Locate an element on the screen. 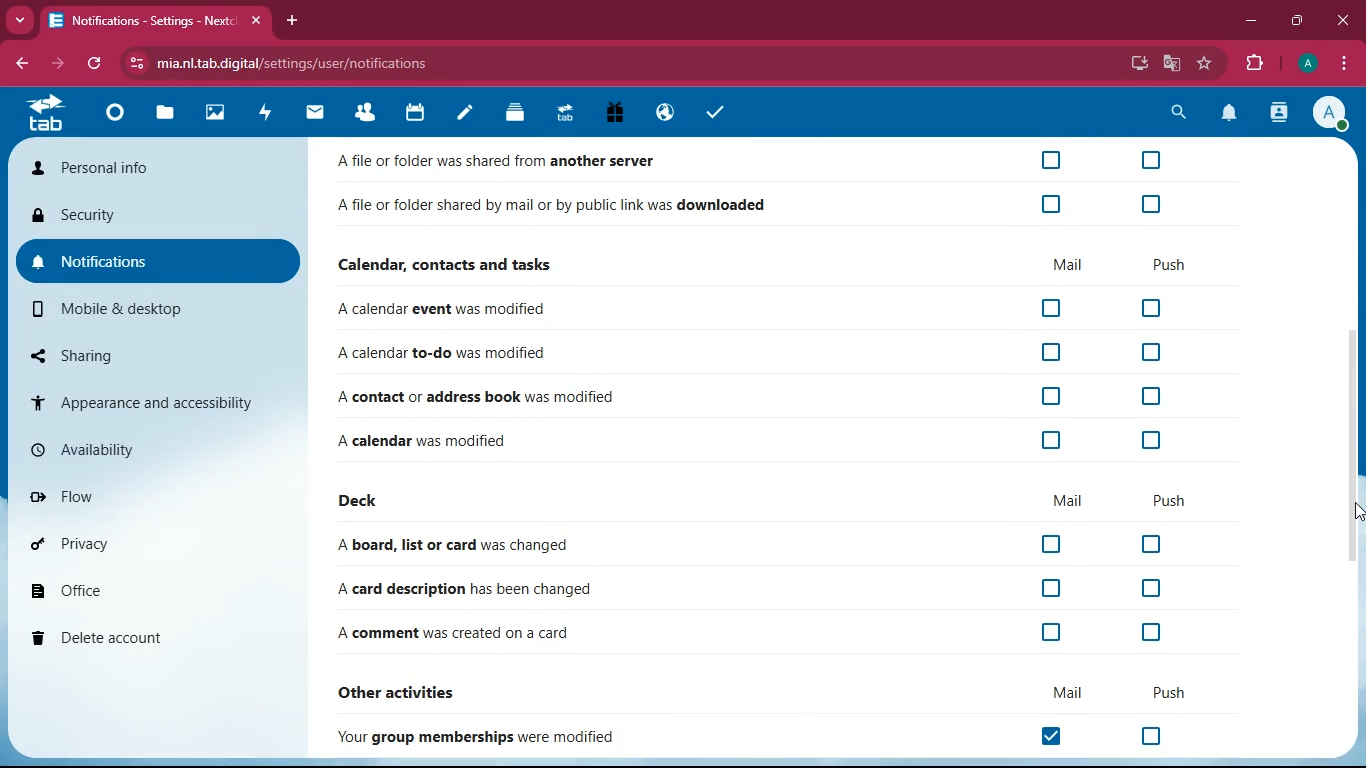 Image resolution: width=1366 pixels, height=768 pixels. View site information is located at coordinates (133, 64).